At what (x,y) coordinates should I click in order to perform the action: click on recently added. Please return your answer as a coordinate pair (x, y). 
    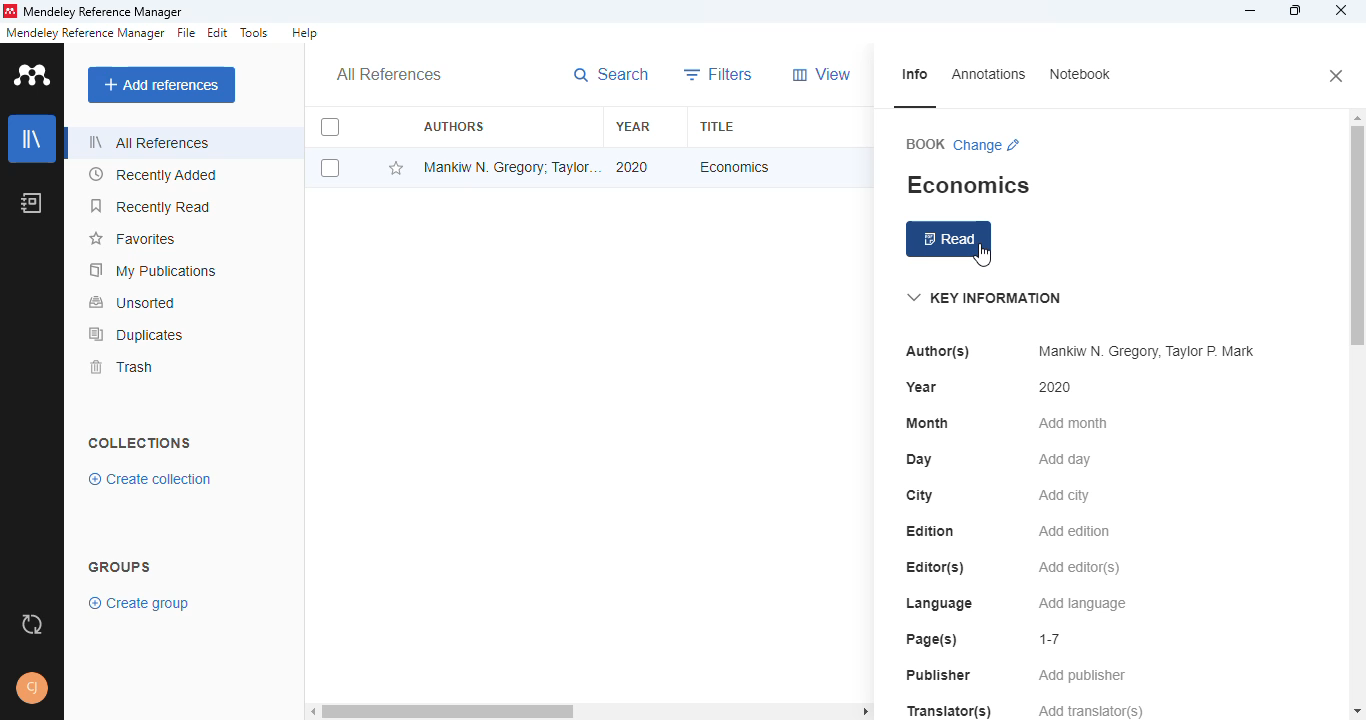
    Looking at the image, I should click on (152, 174).